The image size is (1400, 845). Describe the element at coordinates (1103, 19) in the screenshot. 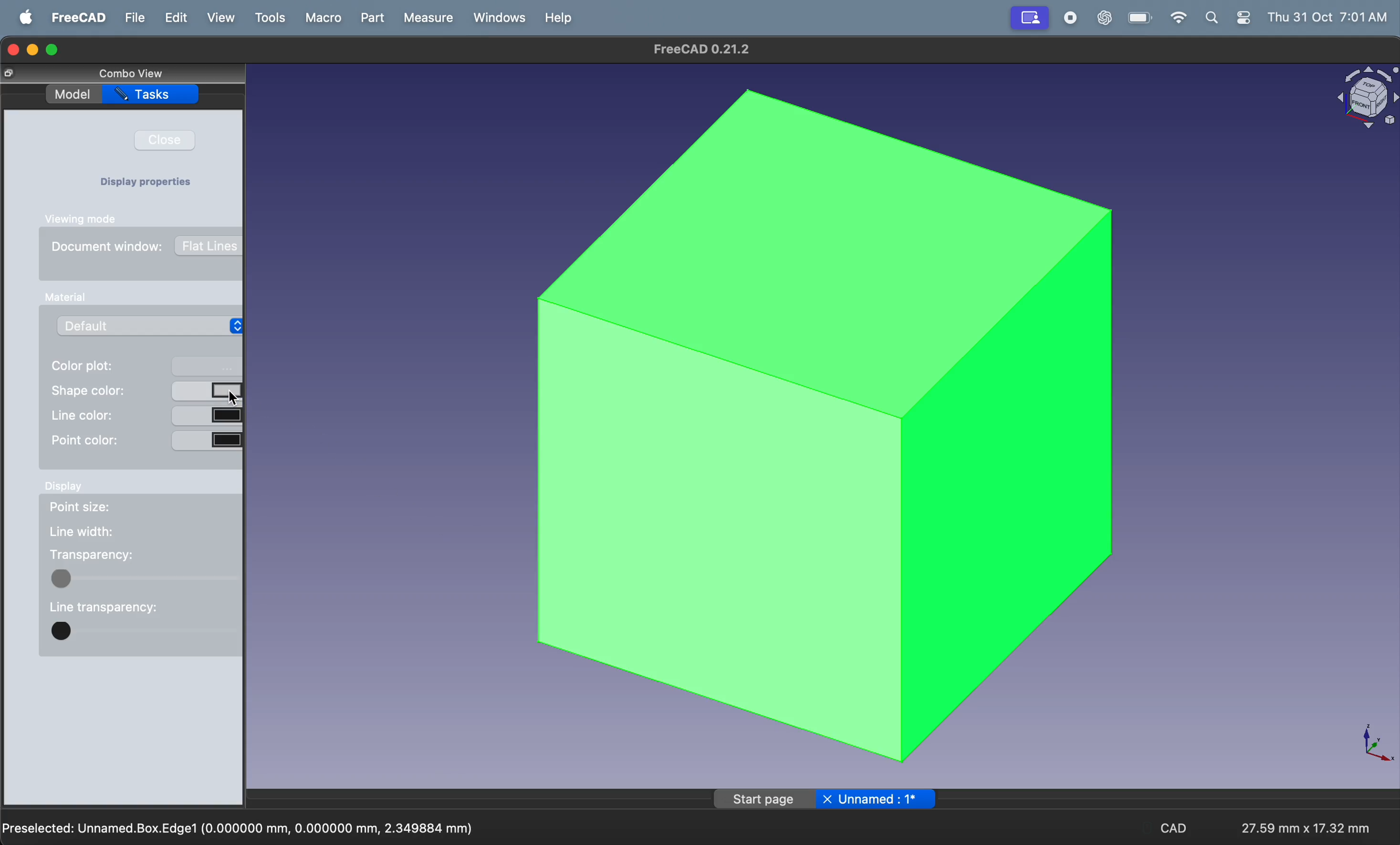

I see `chatgpt` at that location.